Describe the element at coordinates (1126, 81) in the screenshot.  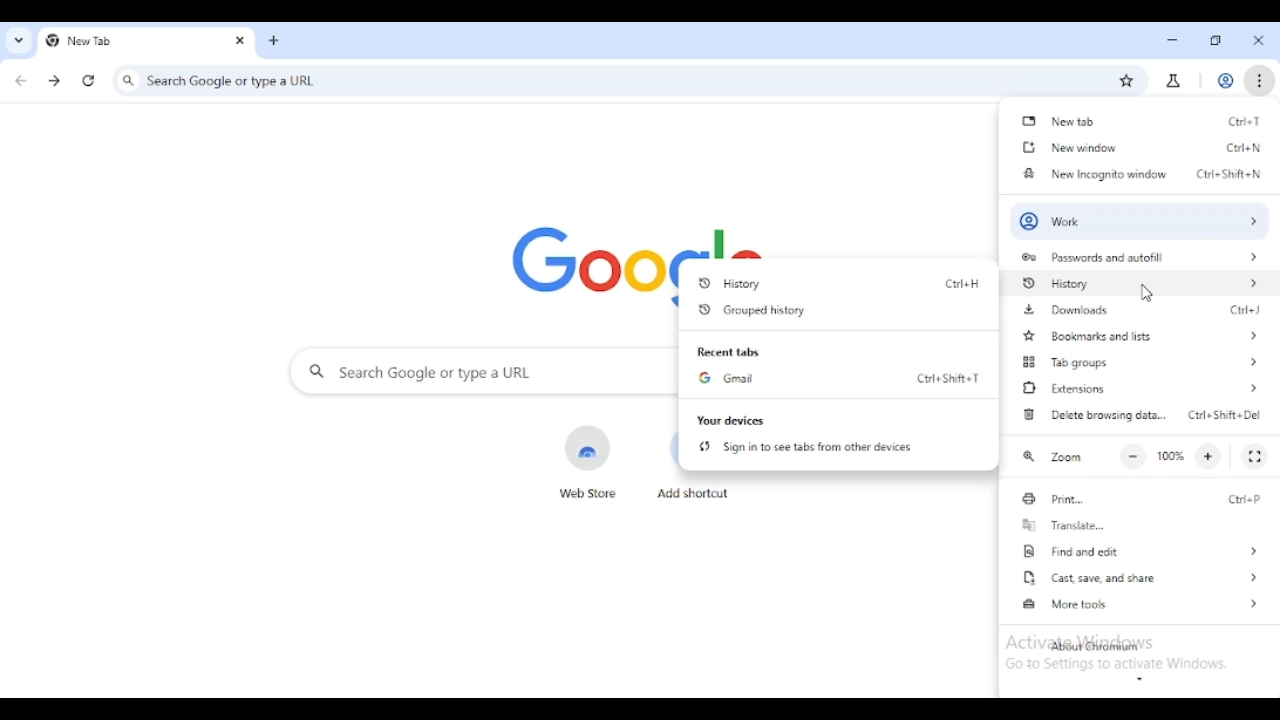
I see `bookmark this page` at that location.